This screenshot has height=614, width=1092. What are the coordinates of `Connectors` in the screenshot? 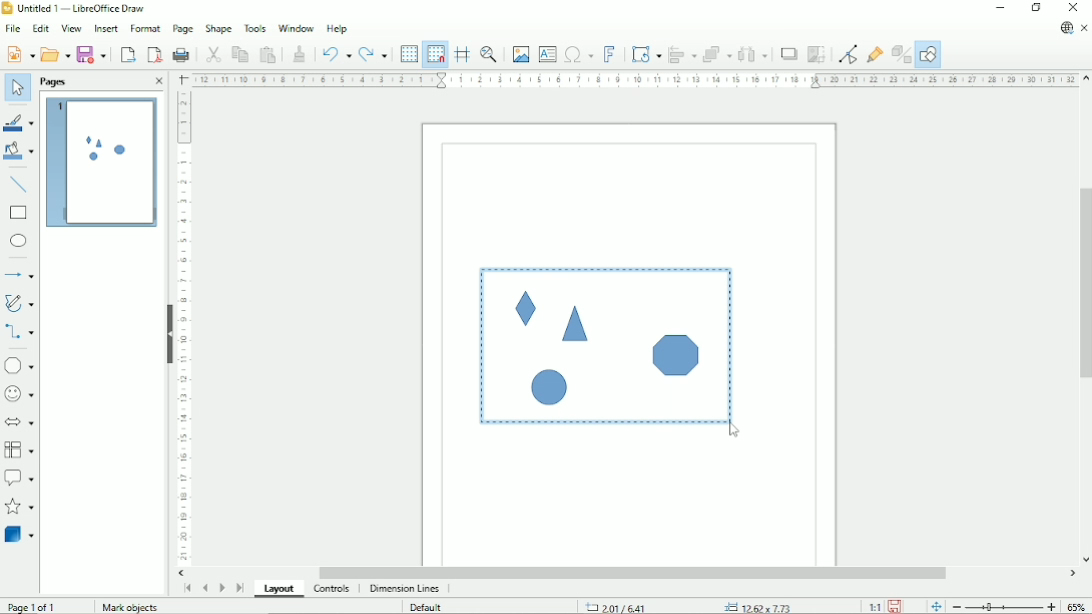 It's located at (20, 333).